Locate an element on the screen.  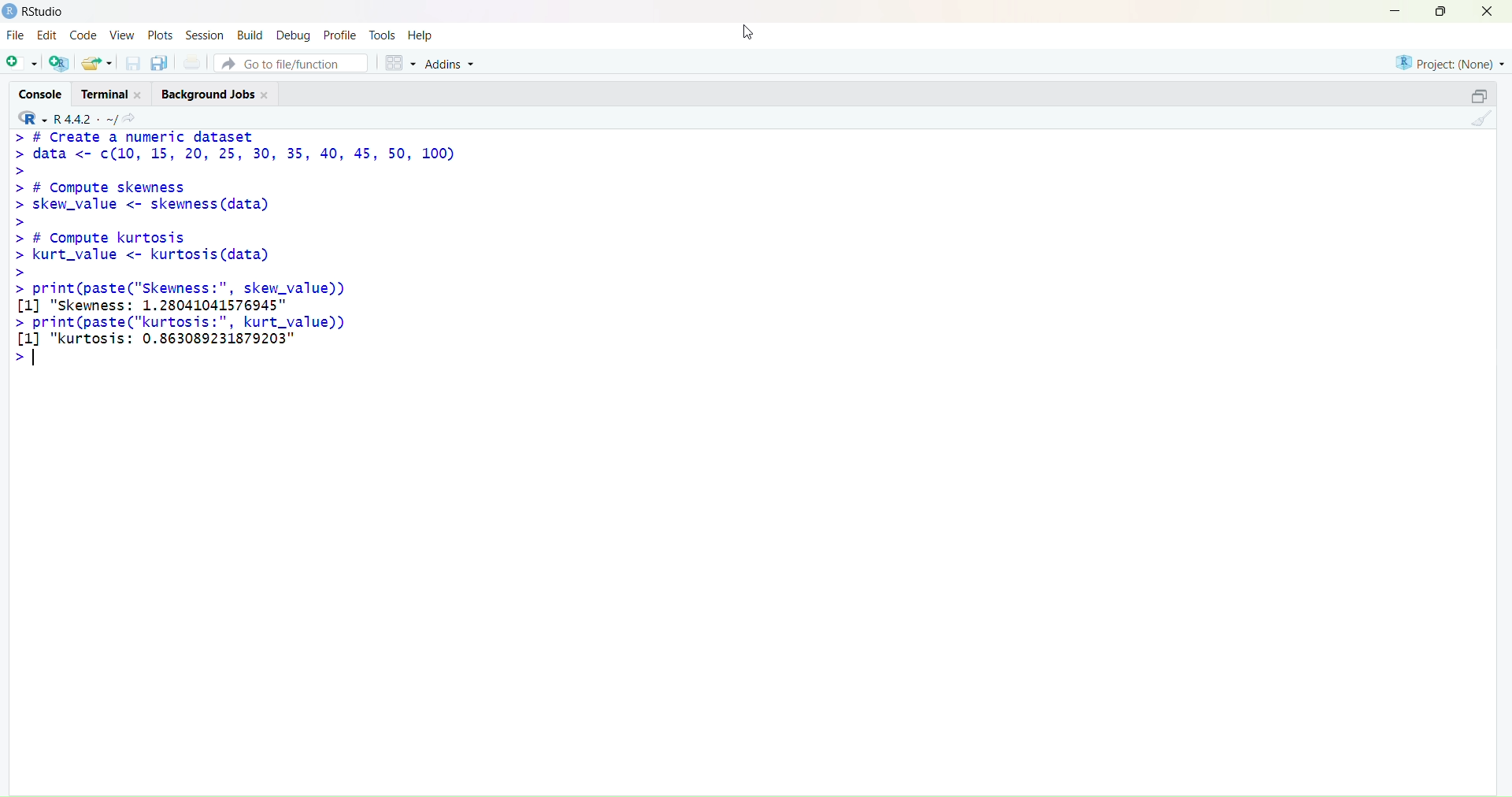
Build is located at coordinates (250, 34).